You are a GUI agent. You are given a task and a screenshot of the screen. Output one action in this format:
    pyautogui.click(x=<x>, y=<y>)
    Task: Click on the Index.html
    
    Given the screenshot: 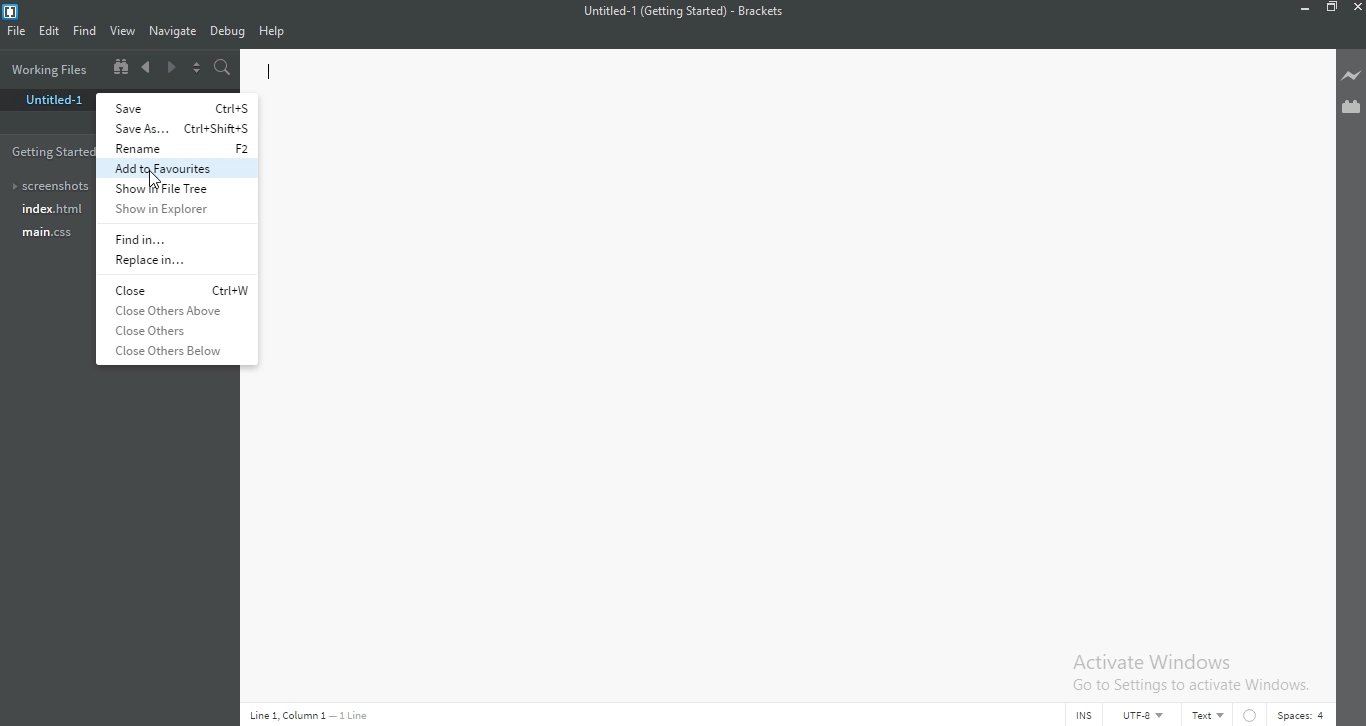 What is the action you would take?
    pyautogui.click(x=52, y=210)
    